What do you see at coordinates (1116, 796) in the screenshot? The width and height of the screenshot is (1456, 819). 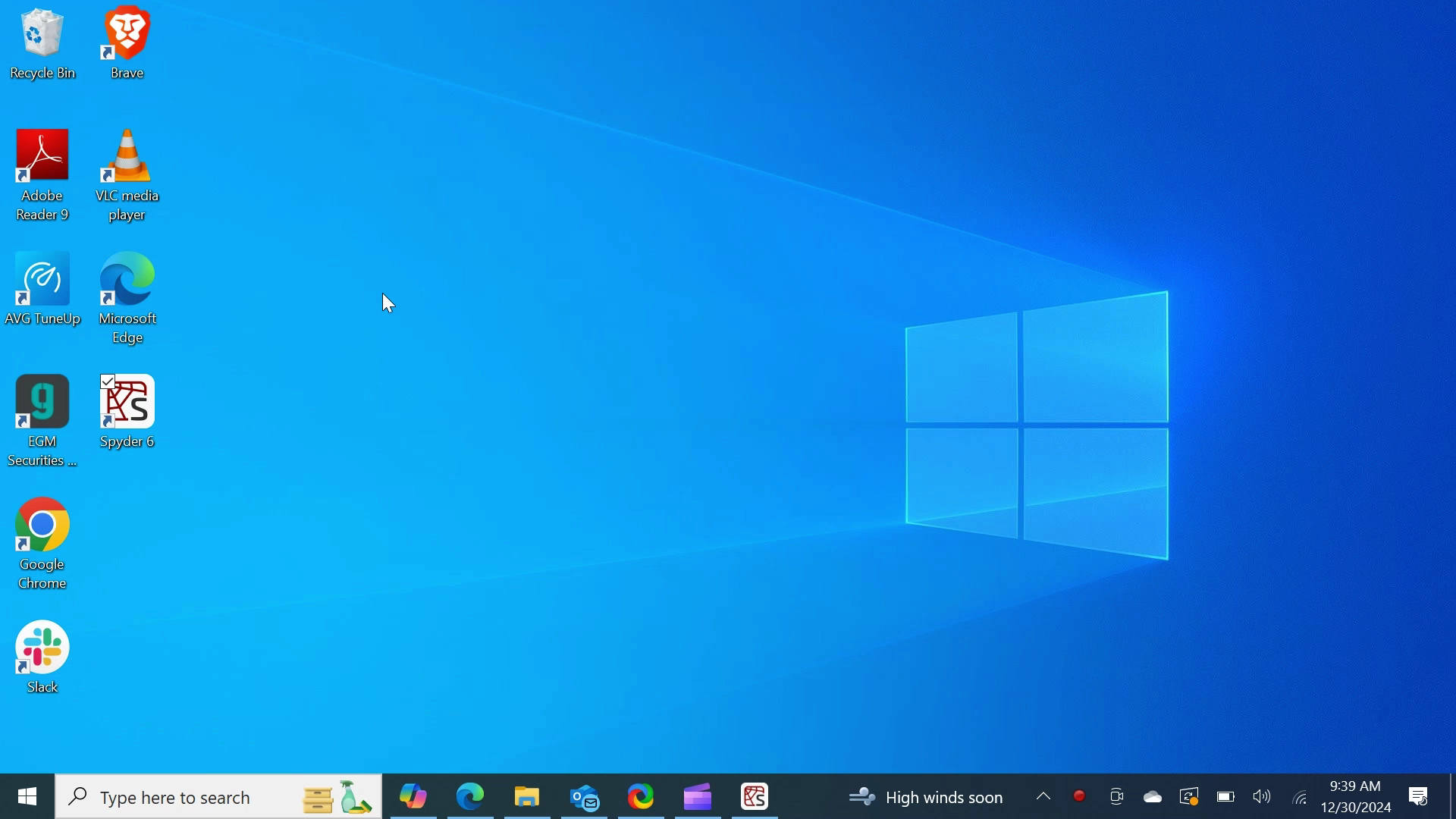 I see `Meet now` at bounding box center [1116, 796].